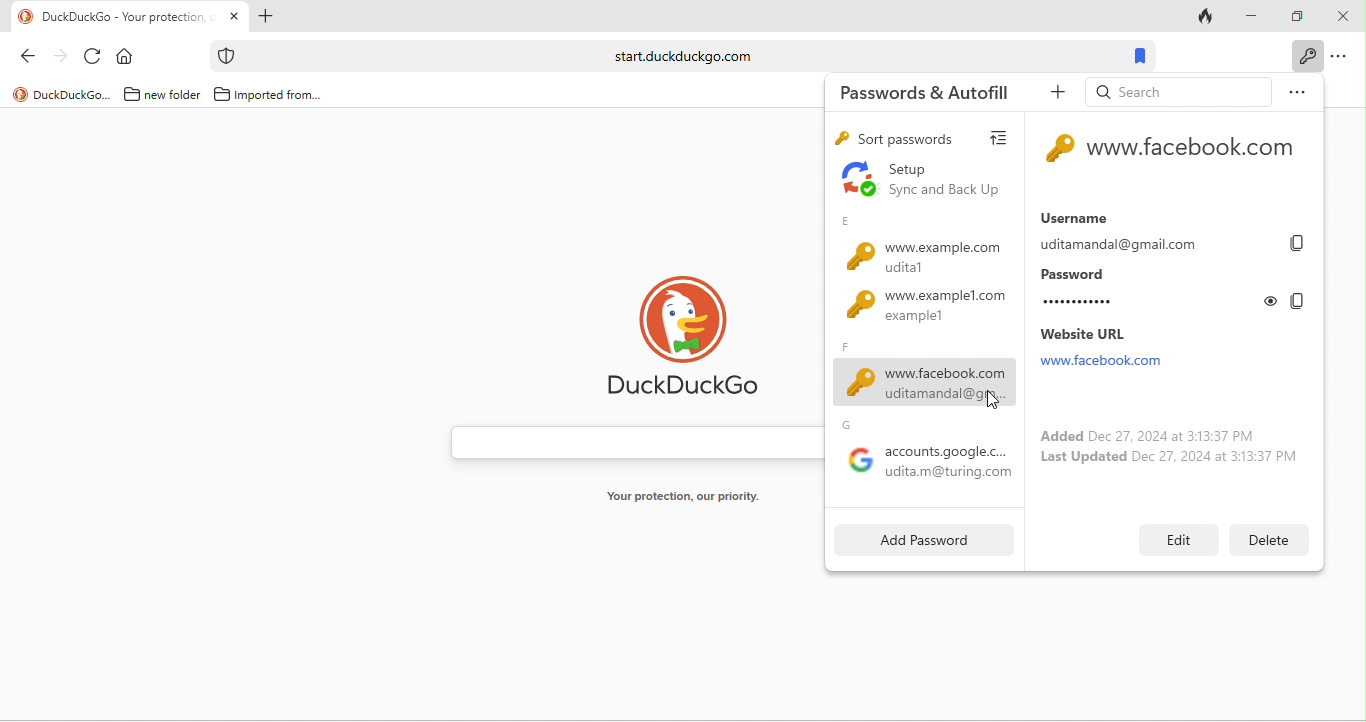 This screenshot has width=1366, height=722. I want to click on add, so click(1052, 96).